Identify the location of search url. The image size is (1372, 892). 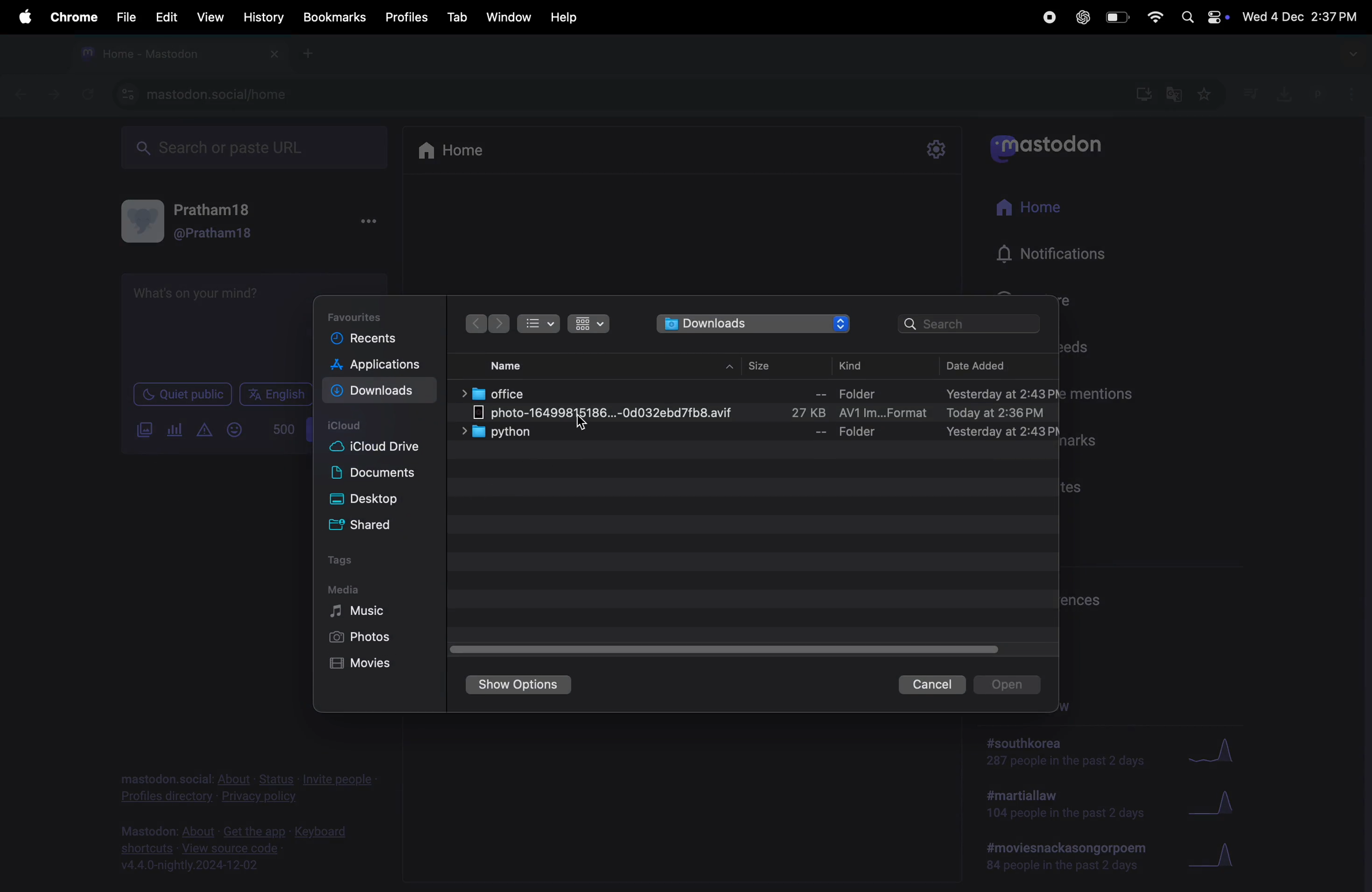
(256, 145).